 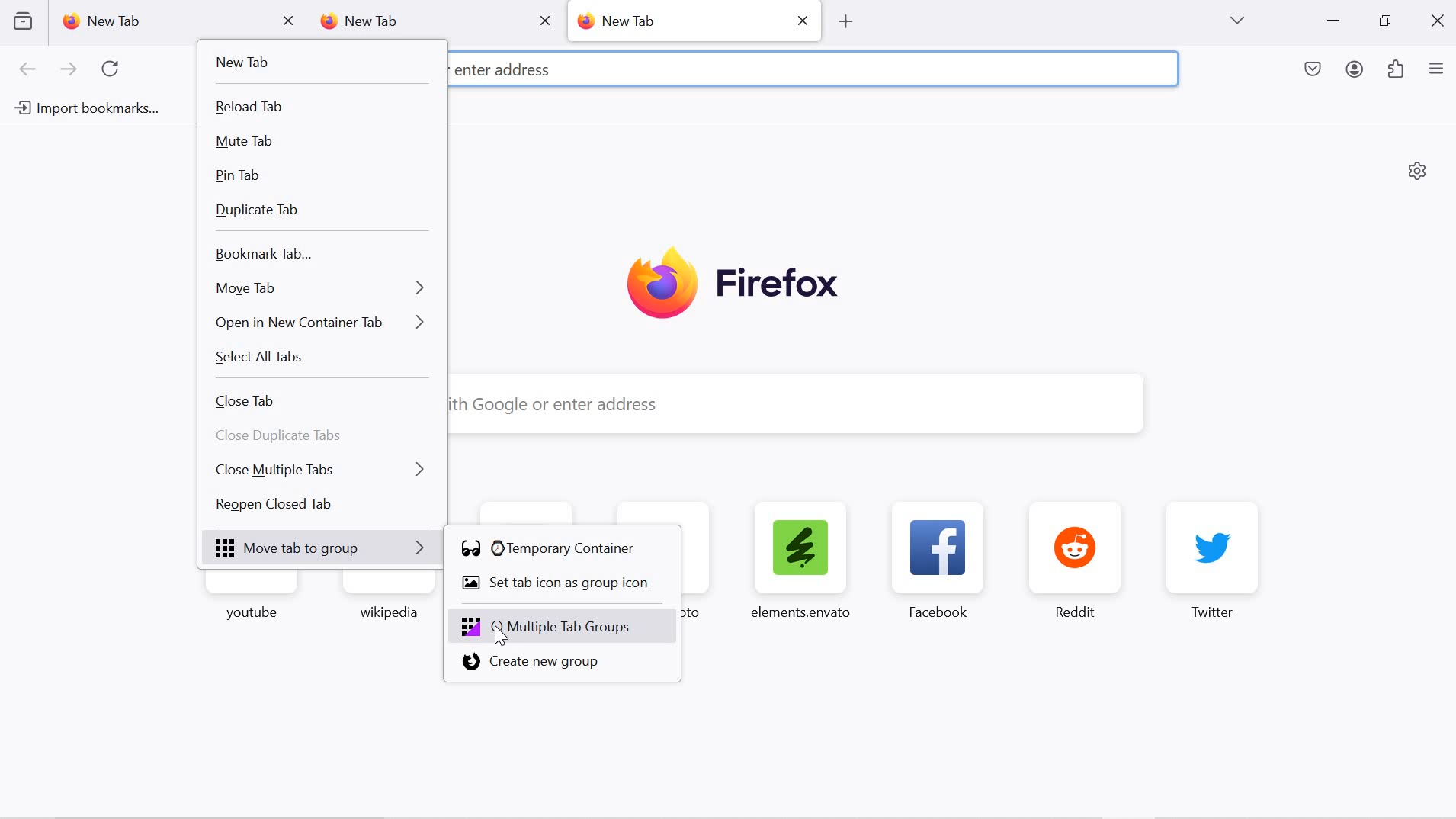 I want to click on reddit favorite, so click(x=1082, y=560).